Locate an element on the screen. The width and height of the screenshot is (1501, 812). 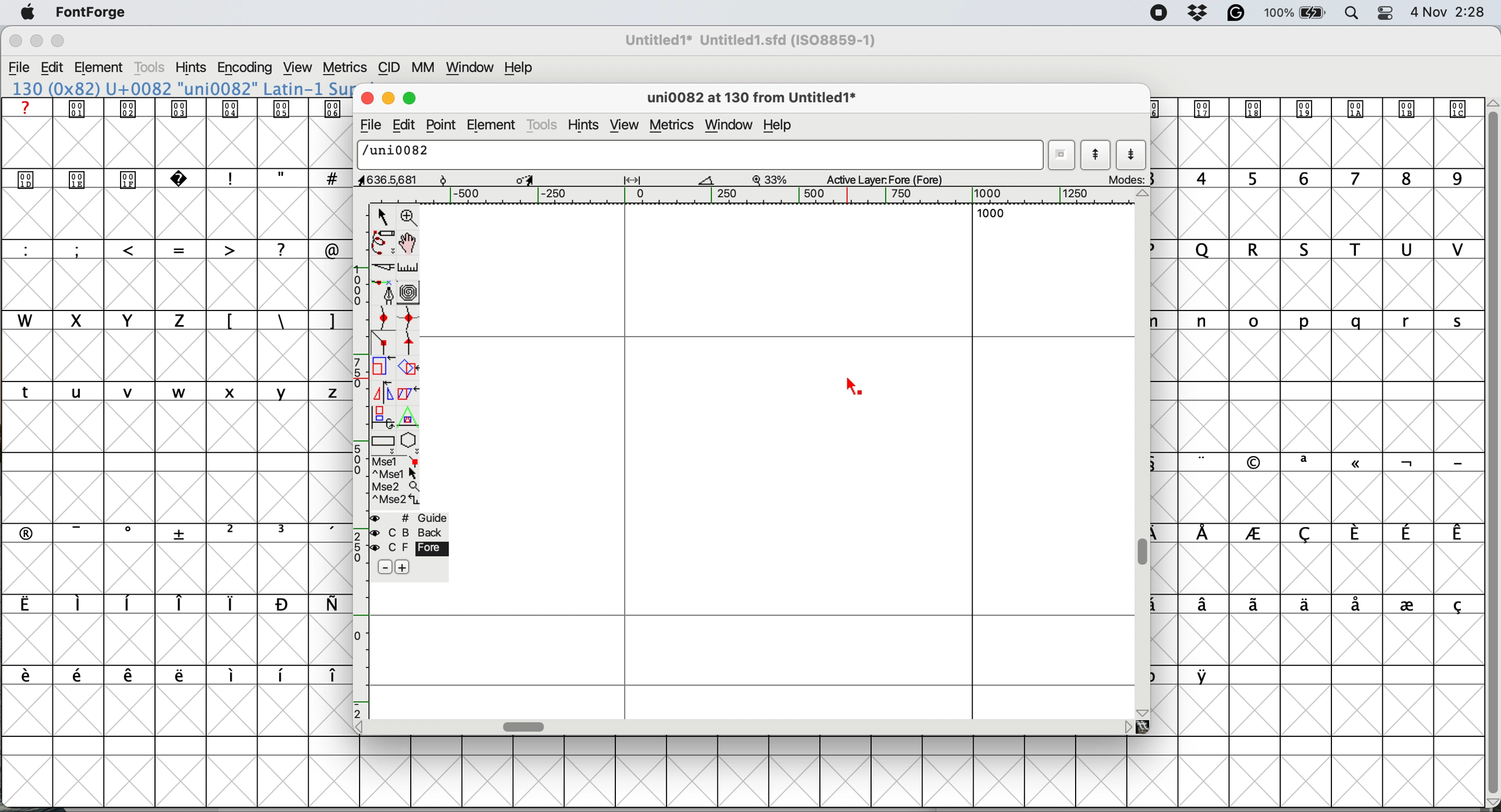
cut splines in two is located at coordinates (386, 267).